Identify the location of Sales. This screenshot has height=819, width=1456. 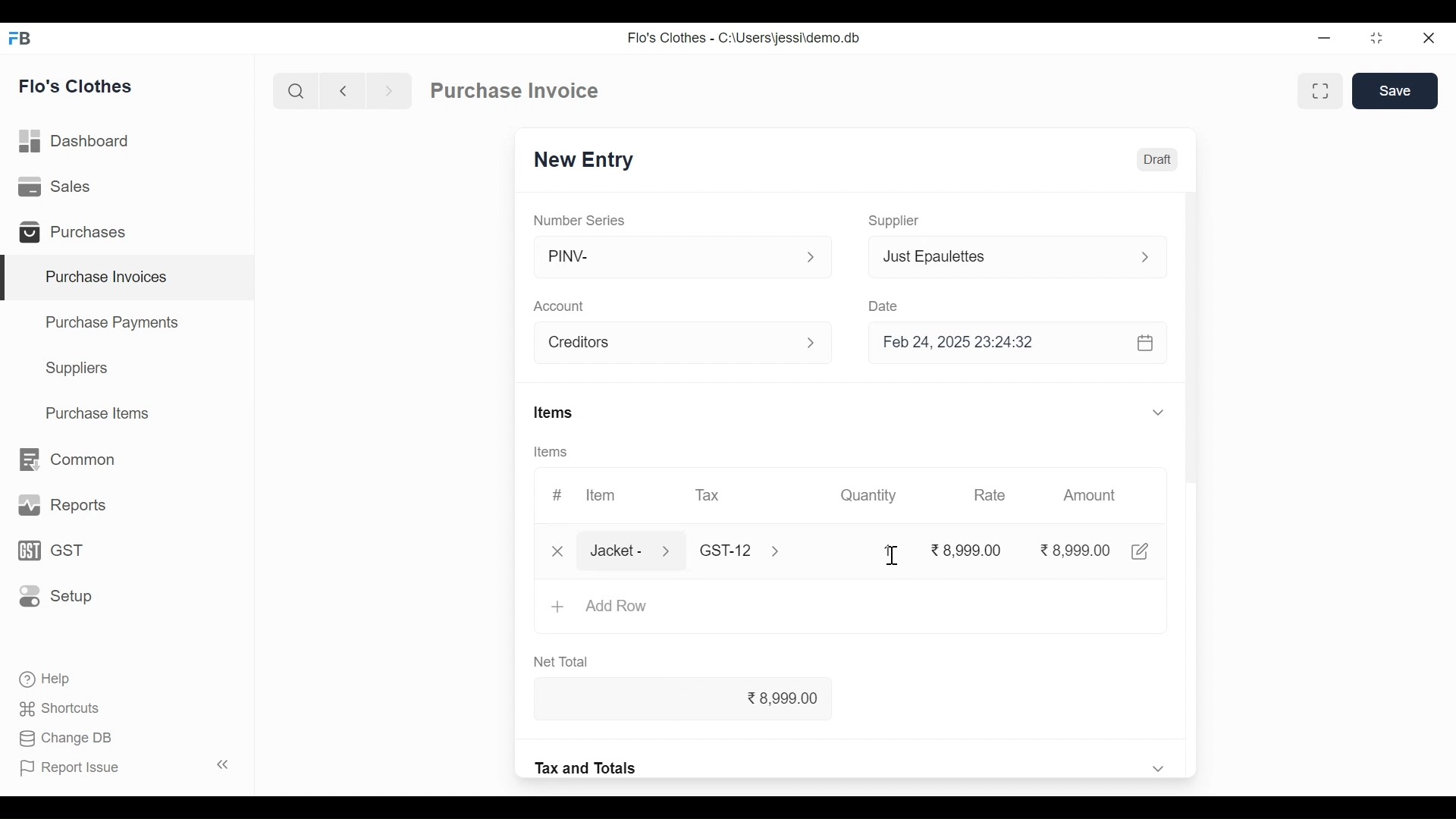
(61, 188).